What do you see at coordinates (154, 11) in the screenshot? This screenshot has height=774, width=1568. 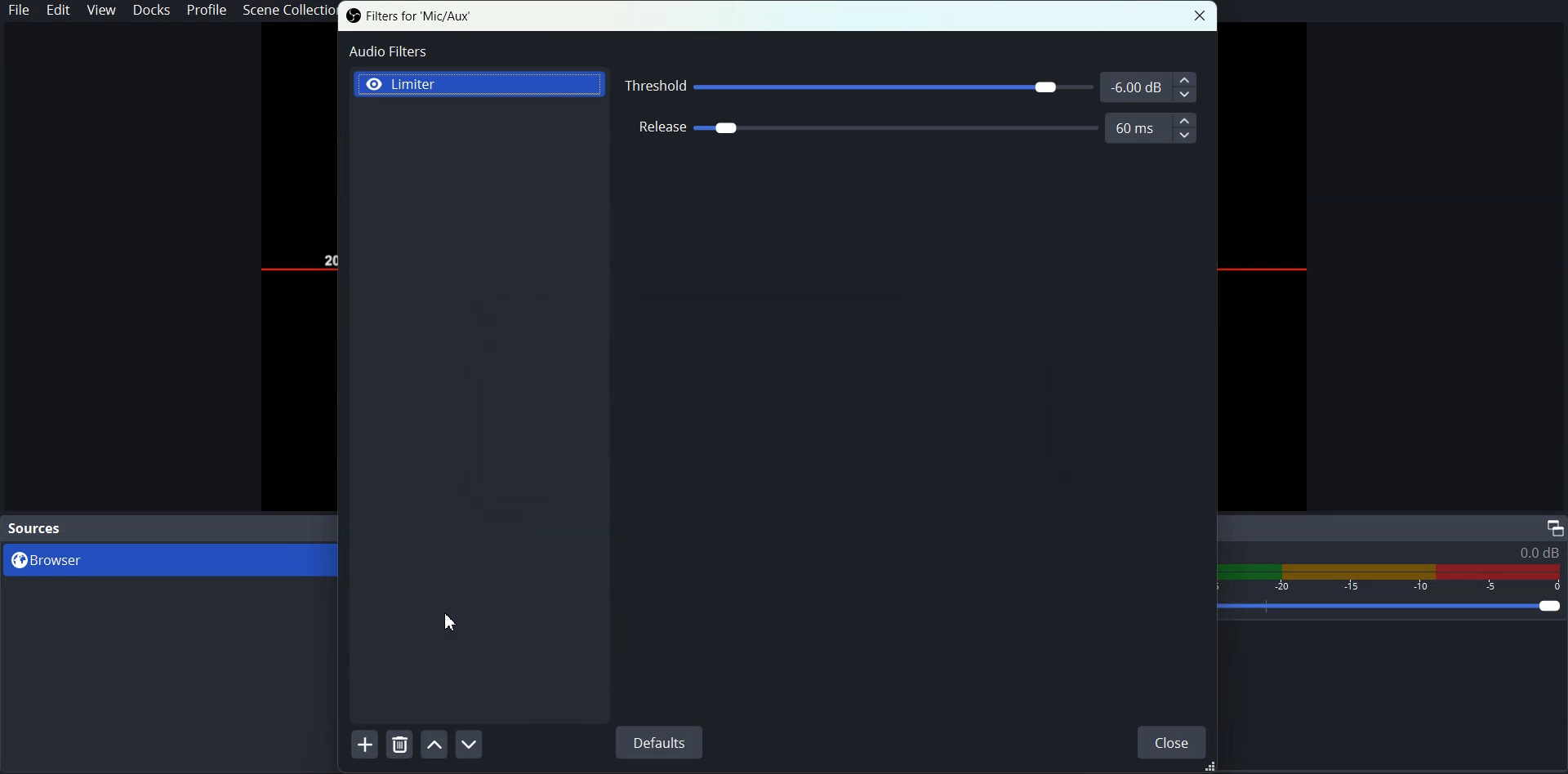 I see `Docks` at bounding box center [154, 11].